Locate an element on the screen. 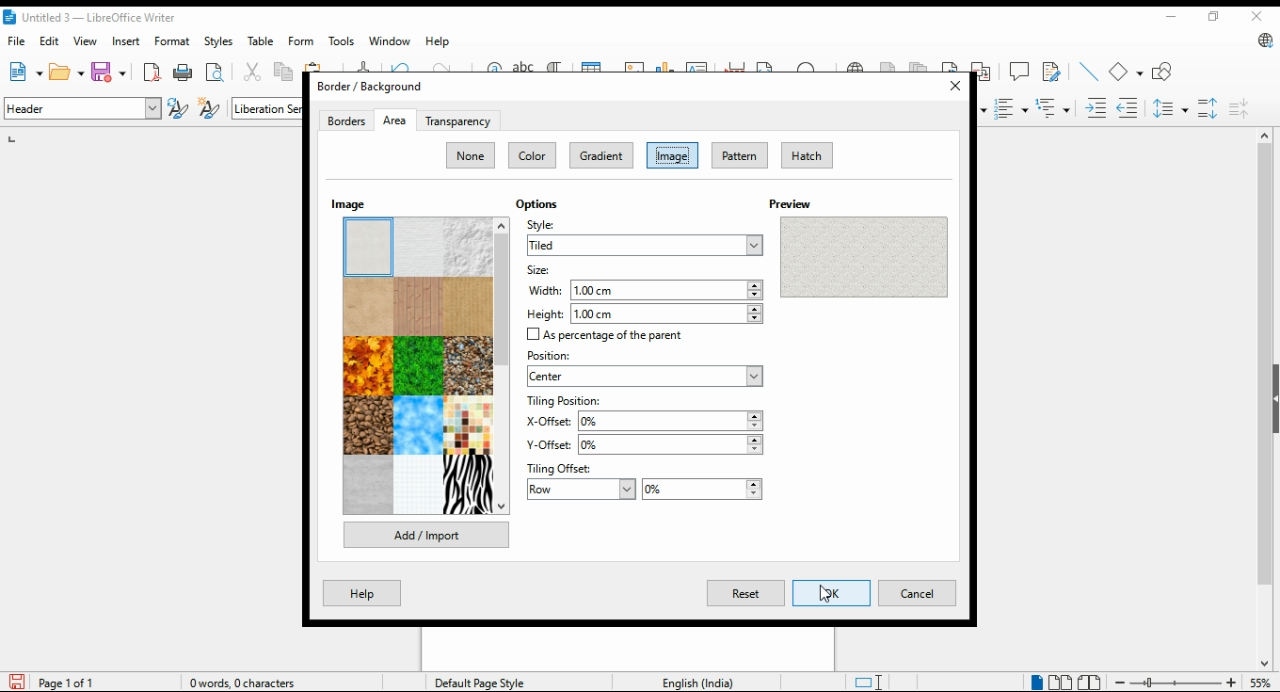 Image resolution: width=1280 pixels, height=692 pixels. help is located at coordinates (439, 41).